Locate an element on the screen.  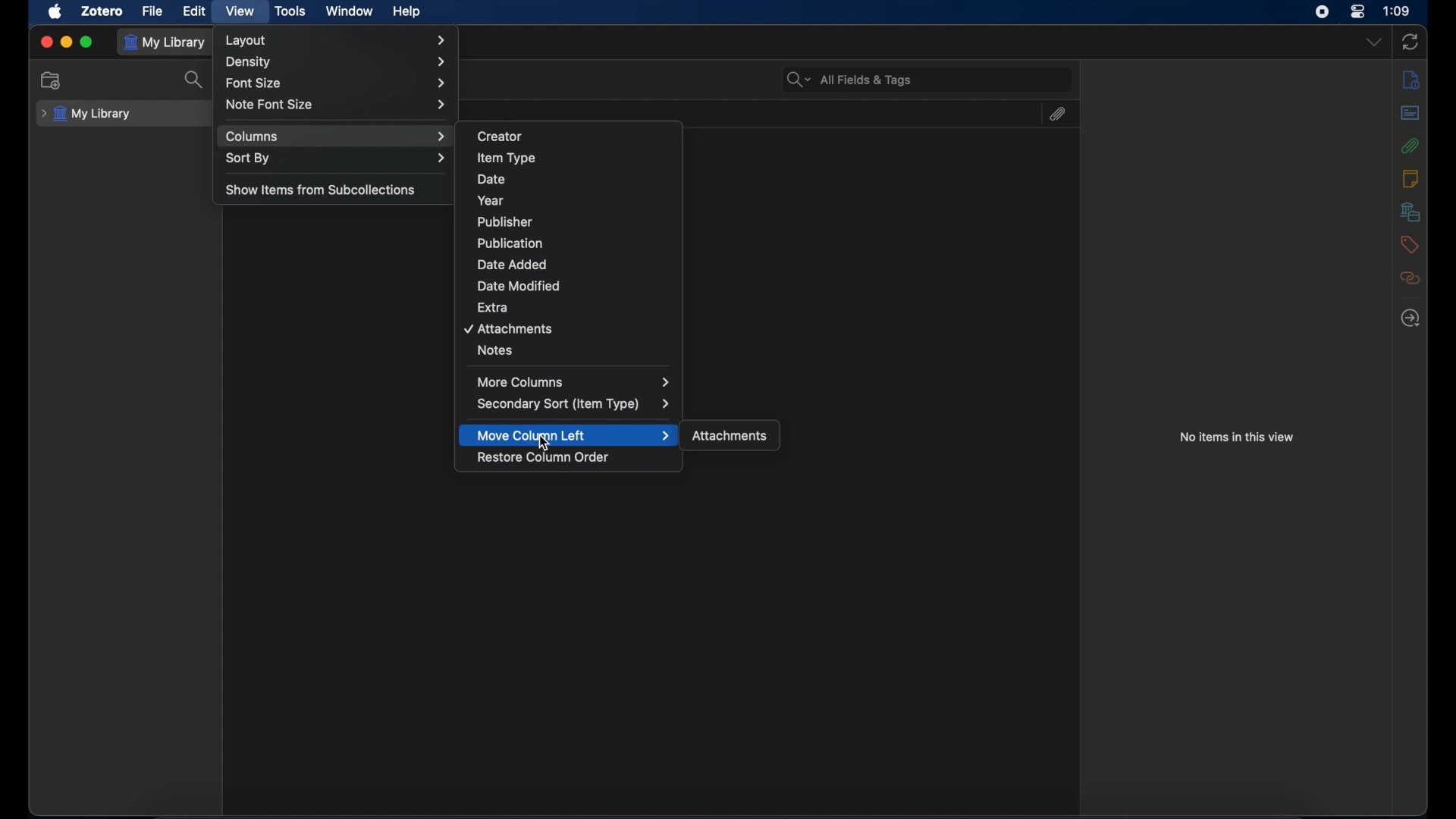
columns is located at coordinates (336, 136).